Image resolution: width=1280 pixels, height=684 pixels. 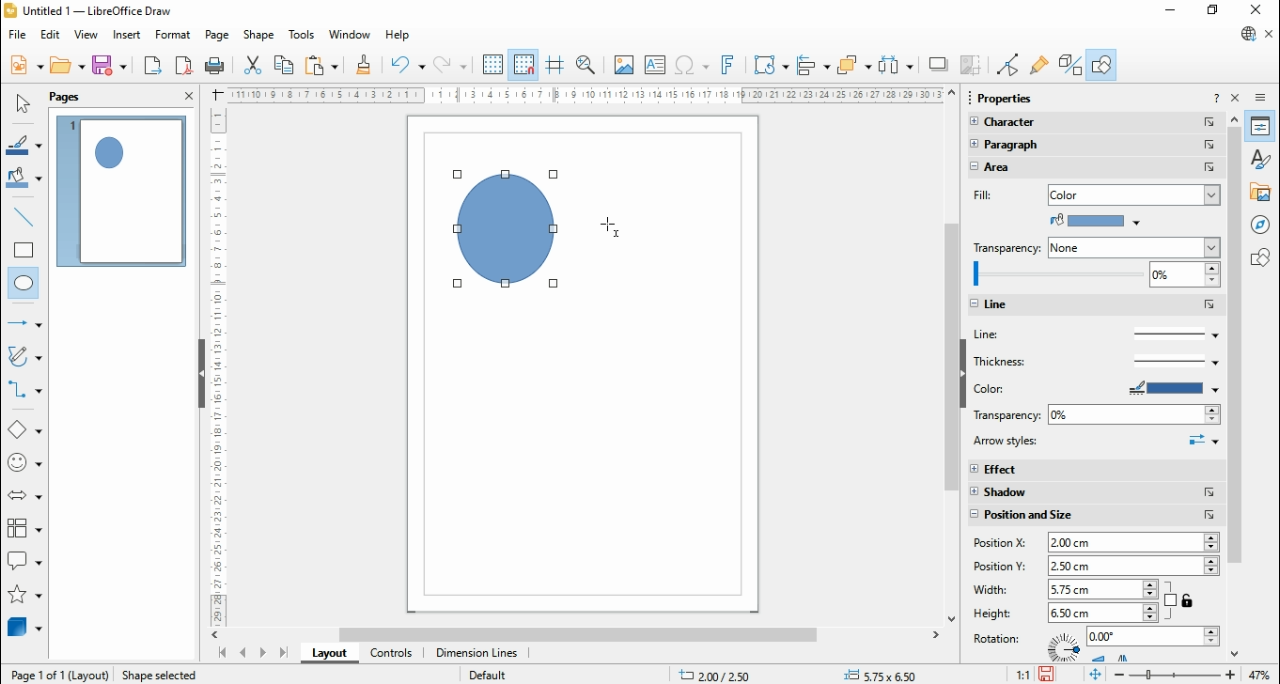 What do you see at coordinates (26, 357) in the screenshot?
I see `curves and polygons` at bounding box center [26, 357].